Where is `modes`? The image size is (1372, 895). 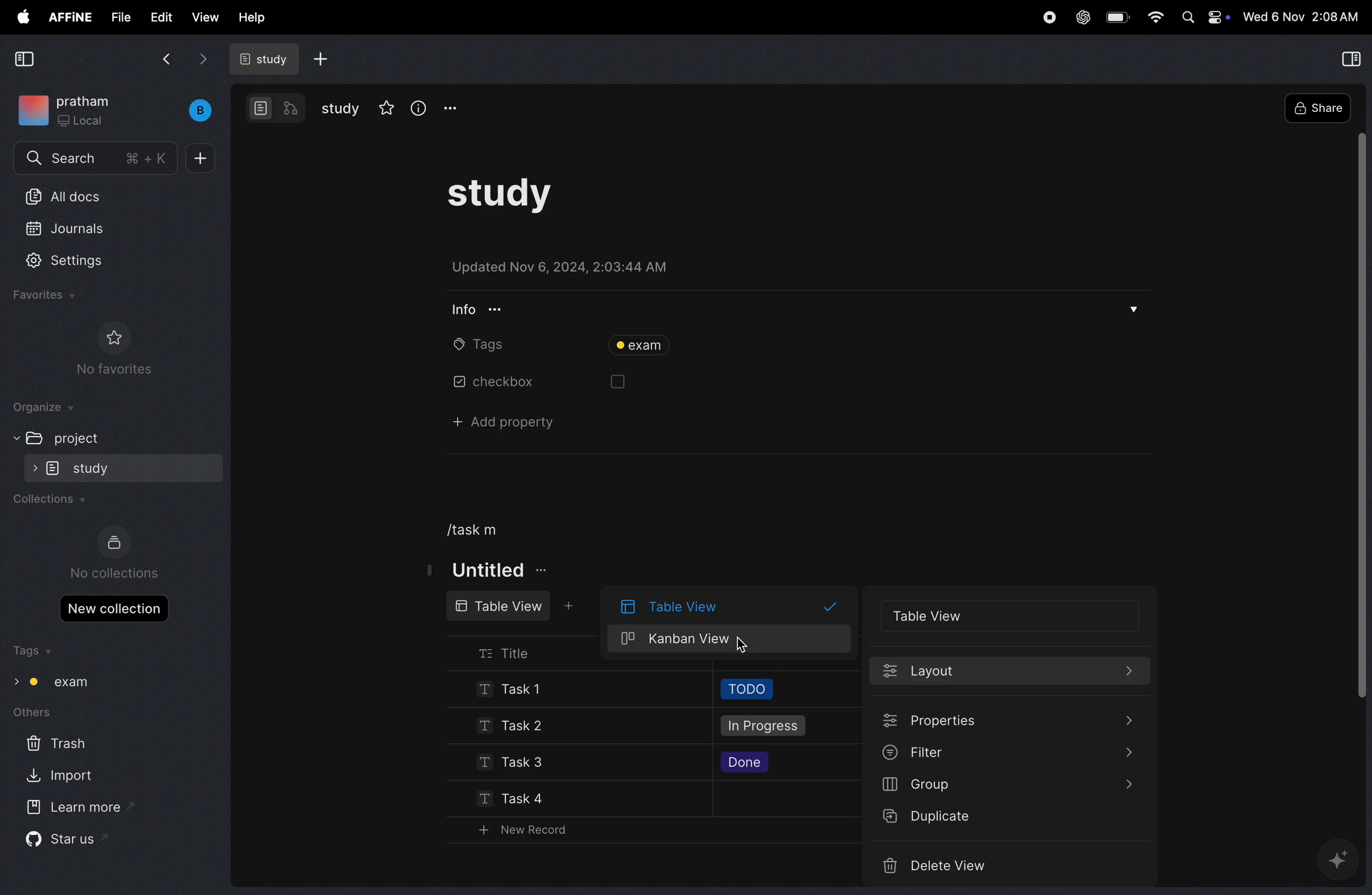 modes is located at coordinates (277, 110).